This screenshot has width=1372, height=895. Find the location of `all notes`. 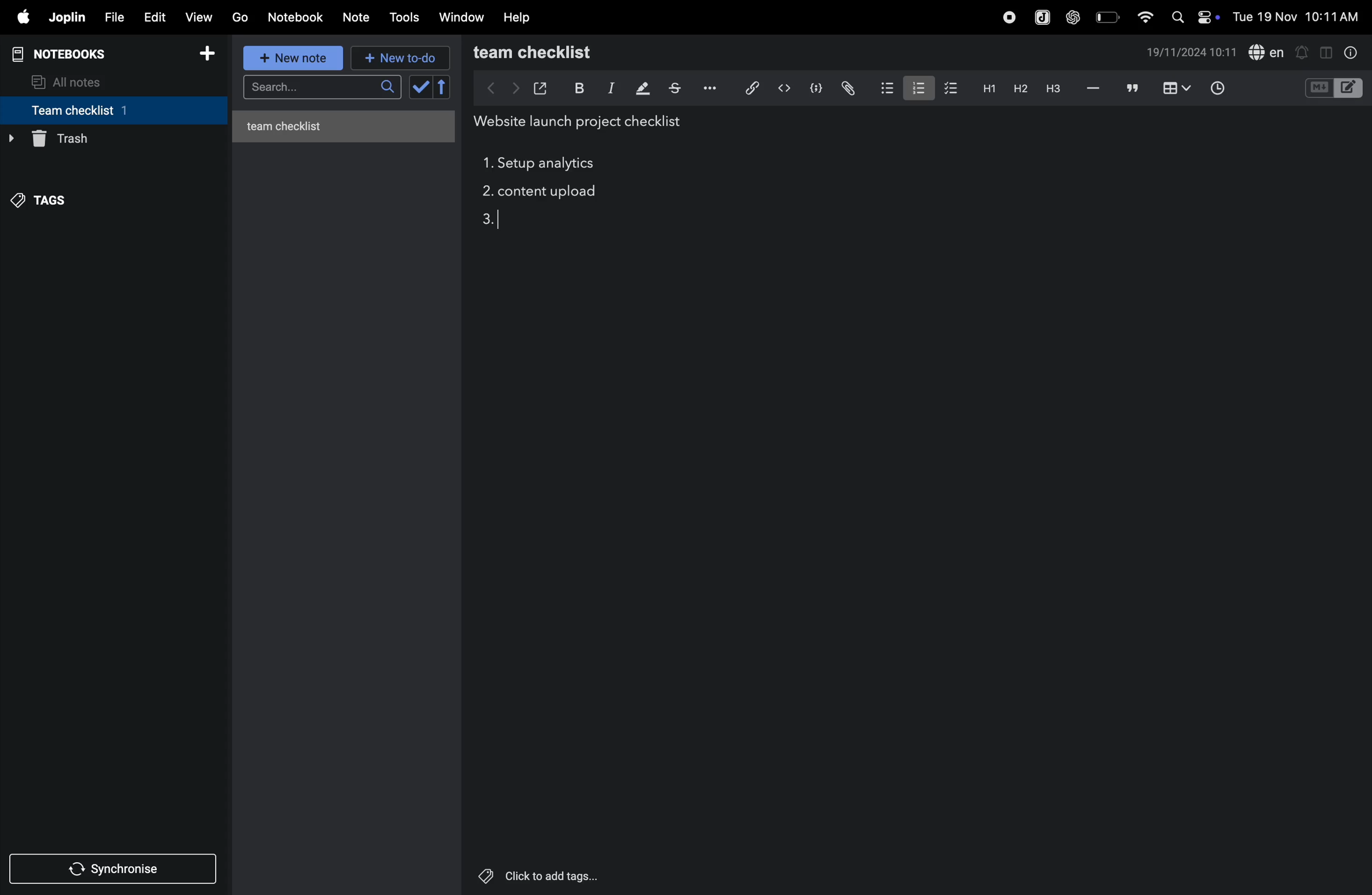

all notes is located at coordinates (76, 81).